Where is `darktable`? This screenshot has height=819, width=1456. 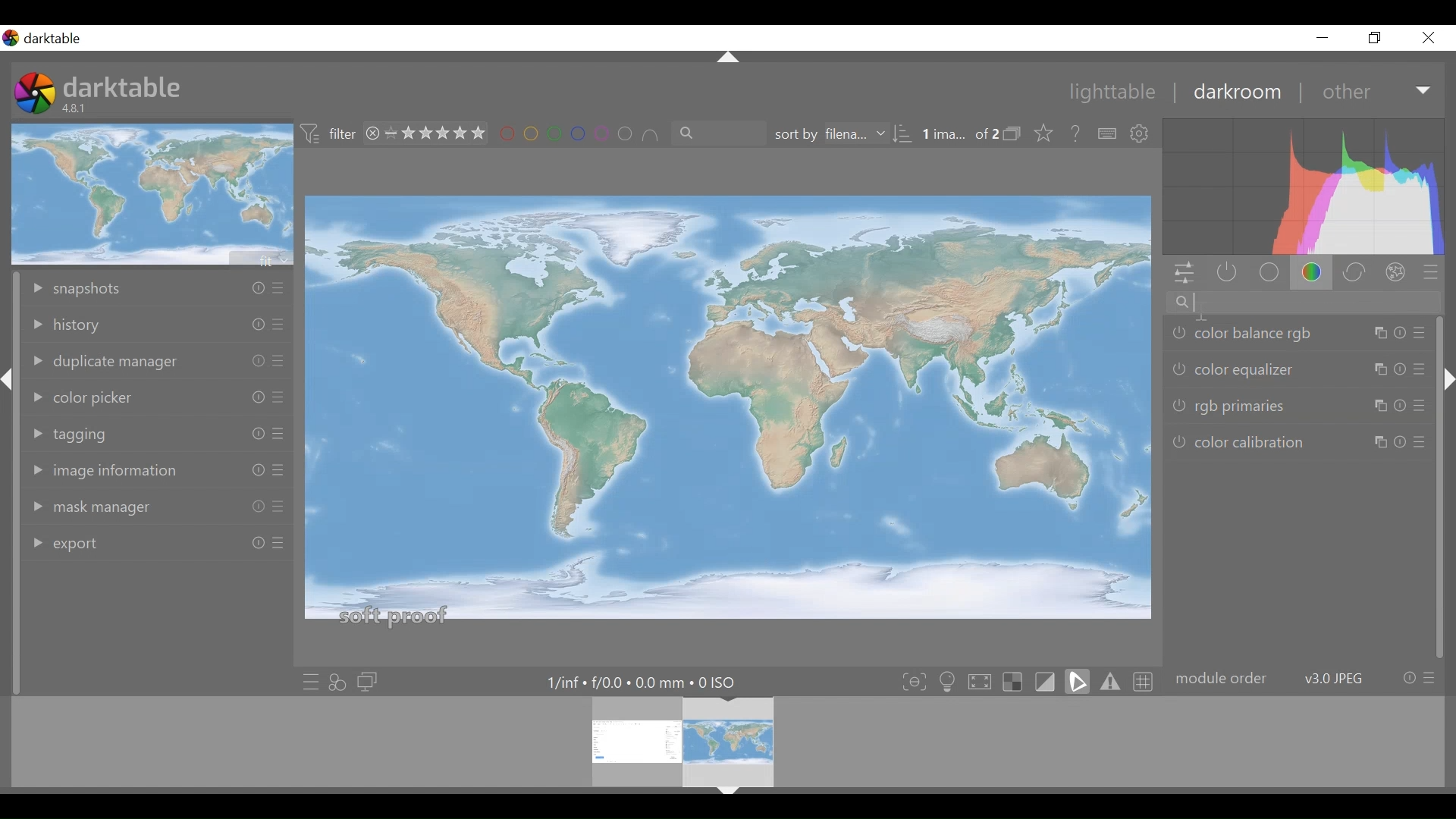
darktable is located at coordinates (123, 86).